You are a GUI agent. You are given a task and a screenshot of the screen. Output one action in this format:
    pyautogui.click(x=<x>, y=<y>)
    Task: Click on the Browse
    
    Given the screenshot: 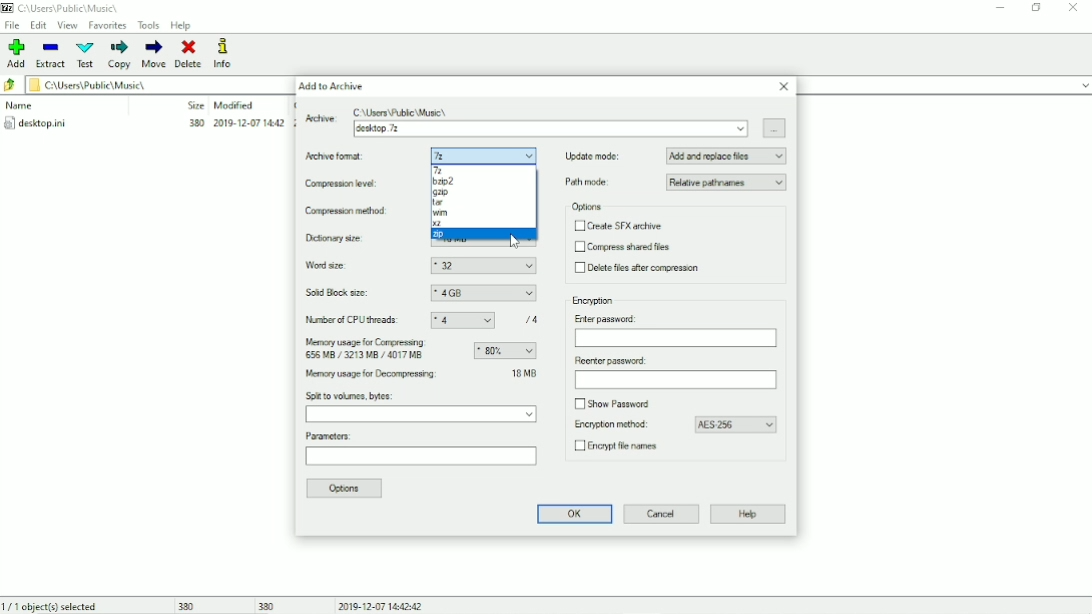 What is the action you would take?
    pyautogui.click(x=776, y=128)
    